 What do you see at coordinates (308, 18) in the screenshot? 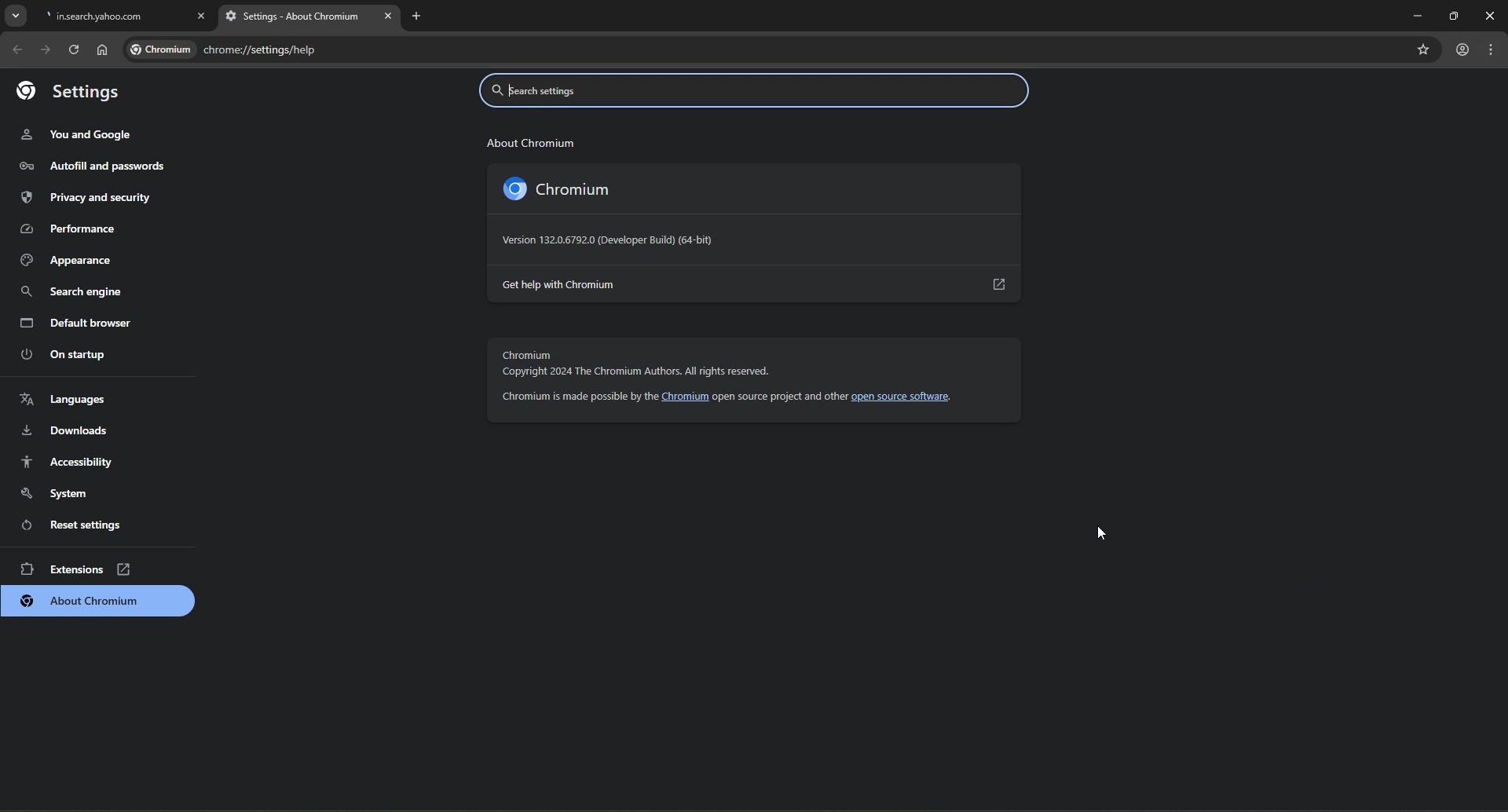
I see `Settings about chromium` at bounding box center [308, 18].